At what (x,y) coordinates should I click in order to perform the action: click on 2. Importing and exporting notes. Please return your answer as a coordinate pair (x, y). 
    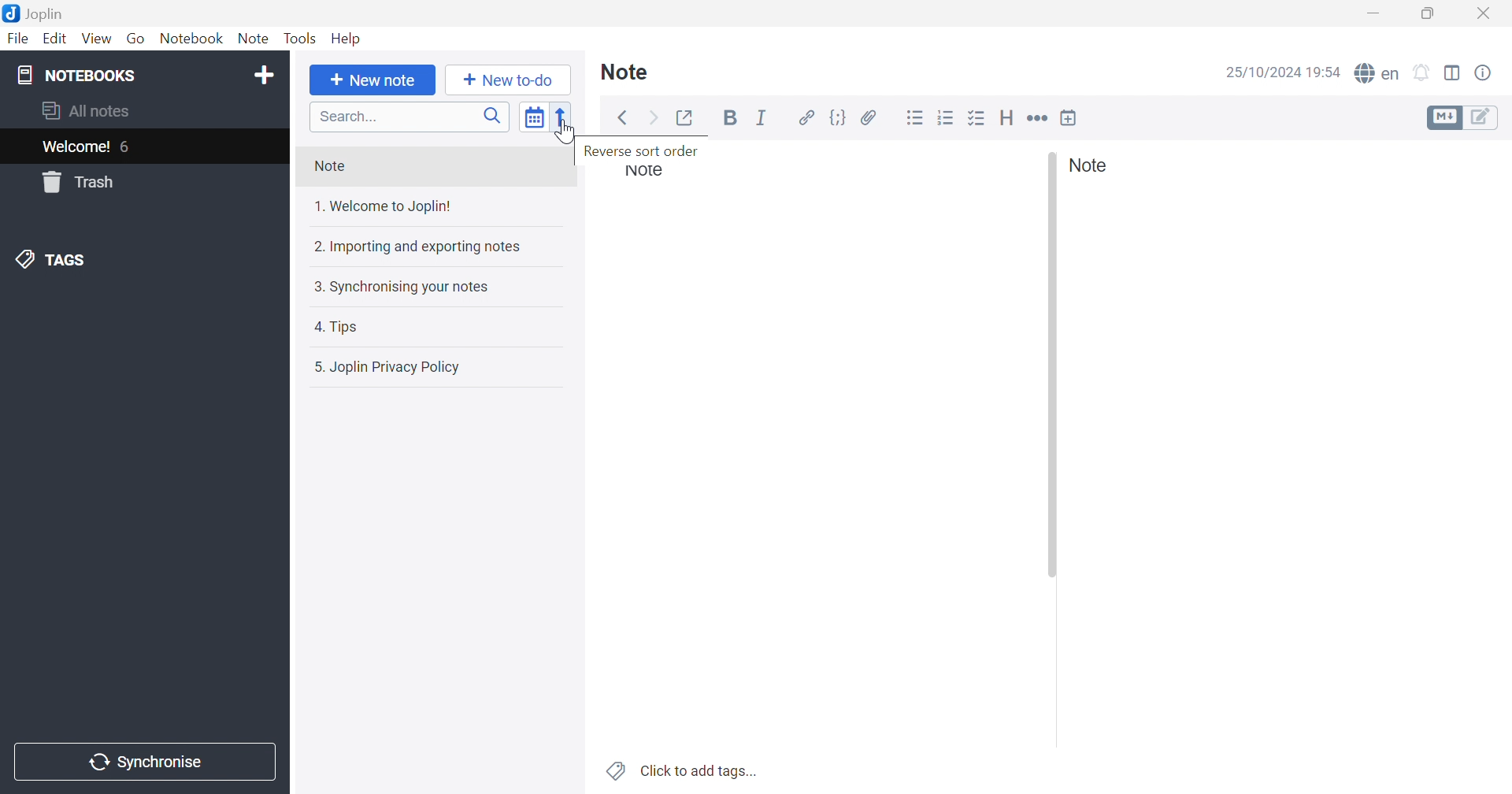
    Looking at the image, I should click on (418, 247).